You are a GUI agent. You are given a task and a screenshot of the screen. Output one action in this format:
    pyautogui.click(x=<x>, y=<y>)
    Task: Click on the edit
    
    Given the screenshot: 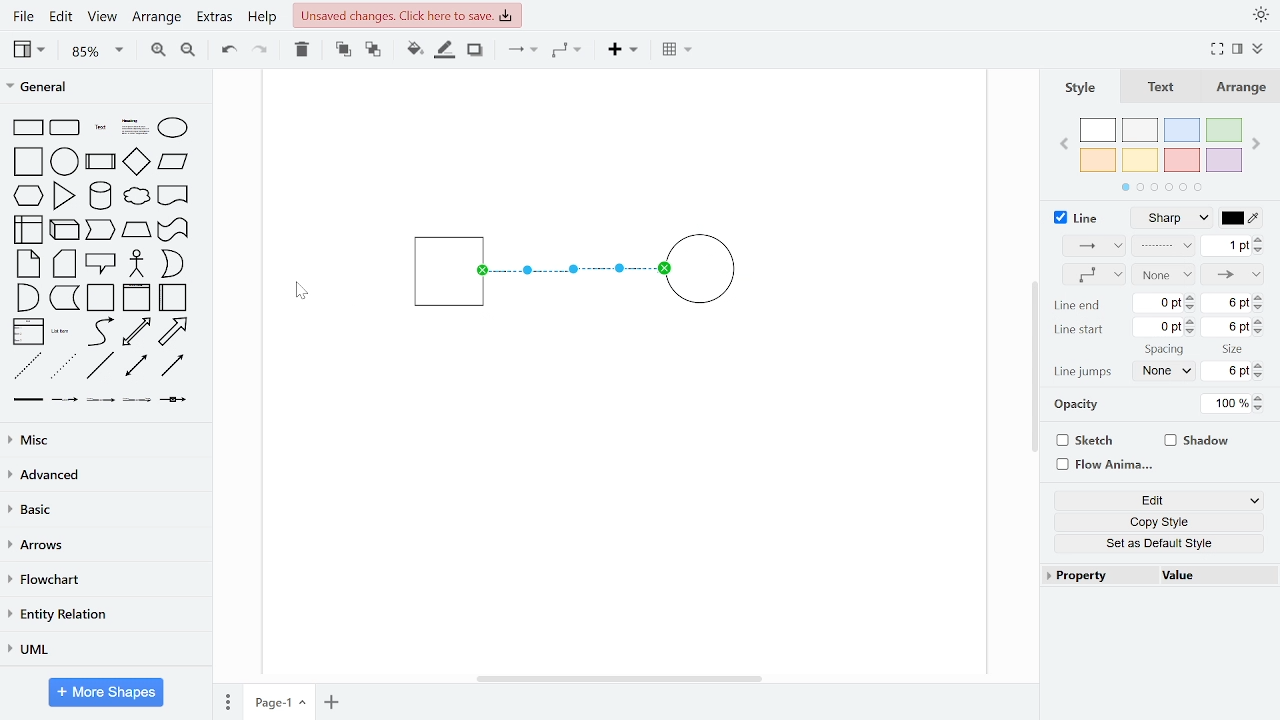 What is the action you would take?
    pyautogui.click(x=60, y=18)
    